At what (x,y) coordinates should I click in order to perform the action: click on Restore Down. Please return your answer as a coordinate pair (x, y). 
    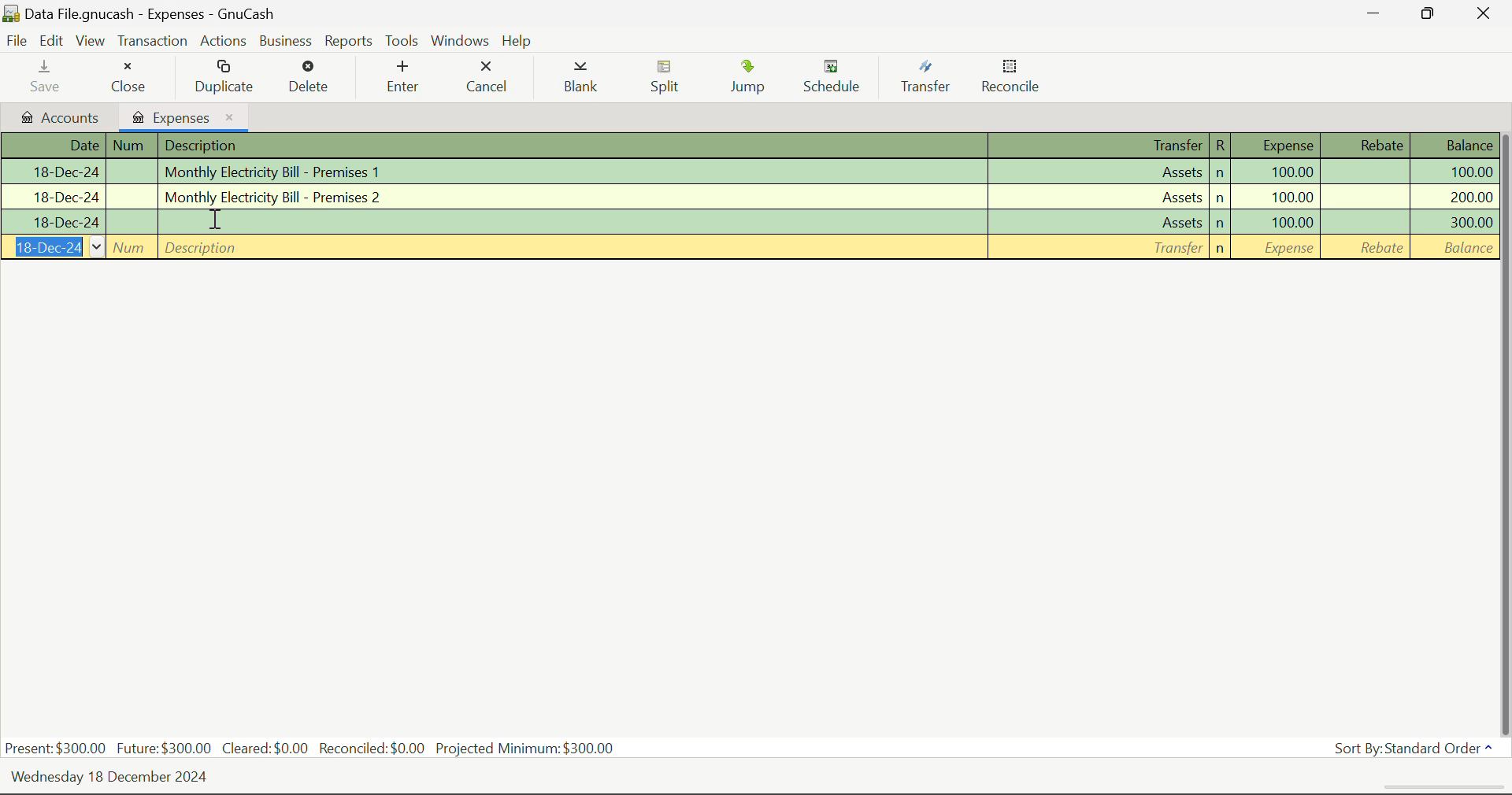
    Looking at the image, I should click on (1376, 17).